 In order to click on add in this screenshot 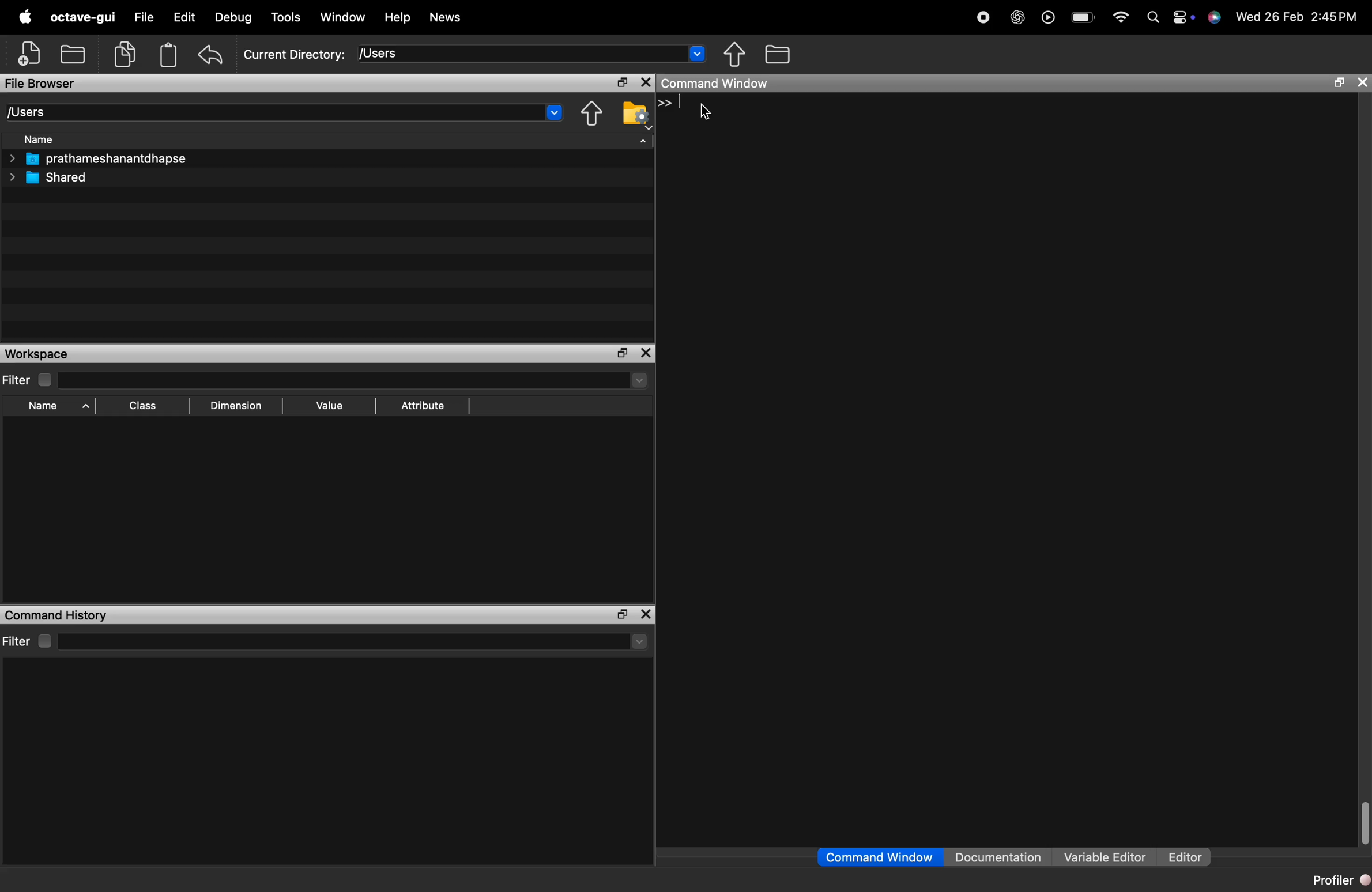, I will do `click(24, 55)`.